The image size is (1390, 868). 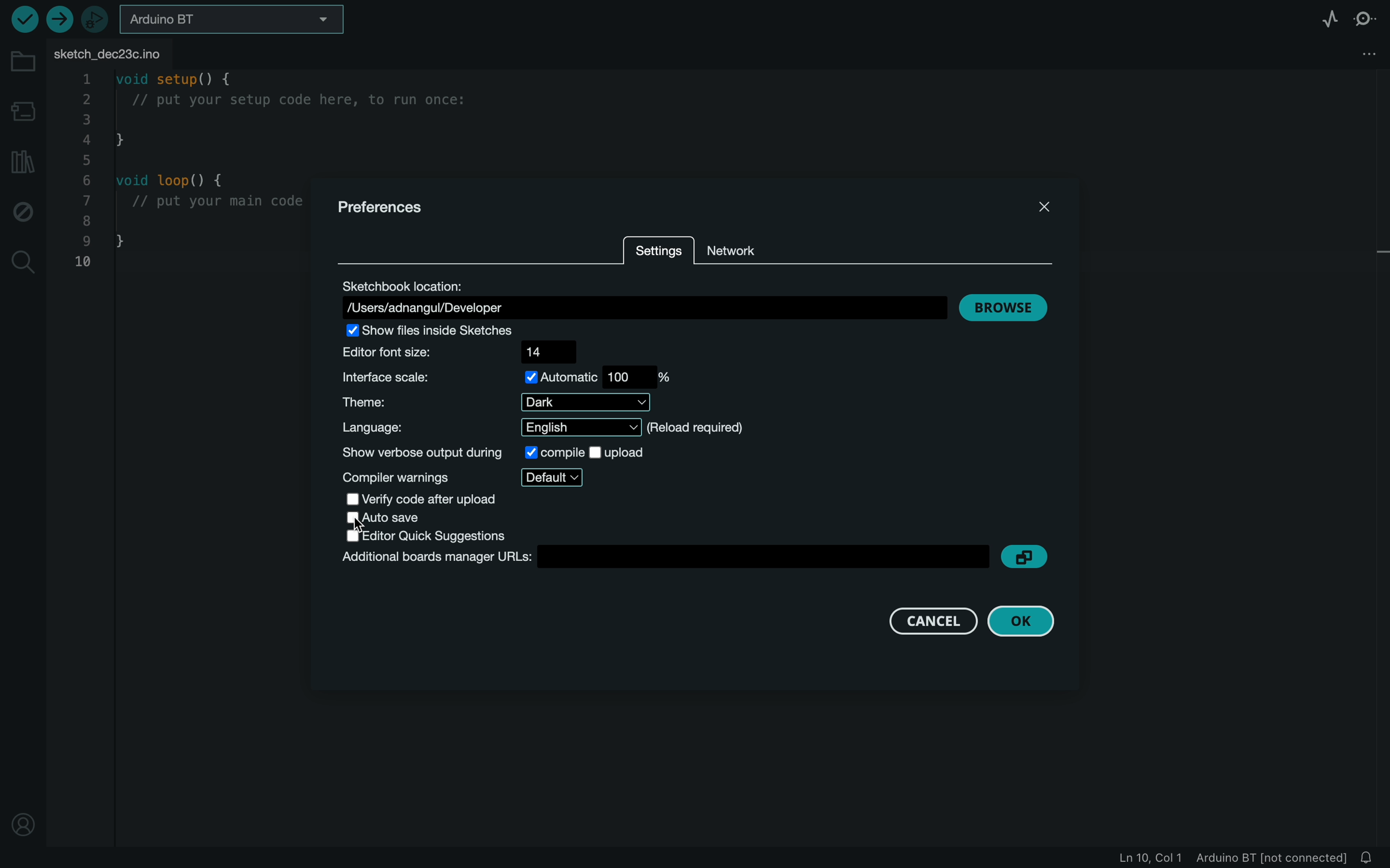 What do you see at coordinates (1042, 204) in the screenshot?
I see `close` at bounding box center [1042, 204].